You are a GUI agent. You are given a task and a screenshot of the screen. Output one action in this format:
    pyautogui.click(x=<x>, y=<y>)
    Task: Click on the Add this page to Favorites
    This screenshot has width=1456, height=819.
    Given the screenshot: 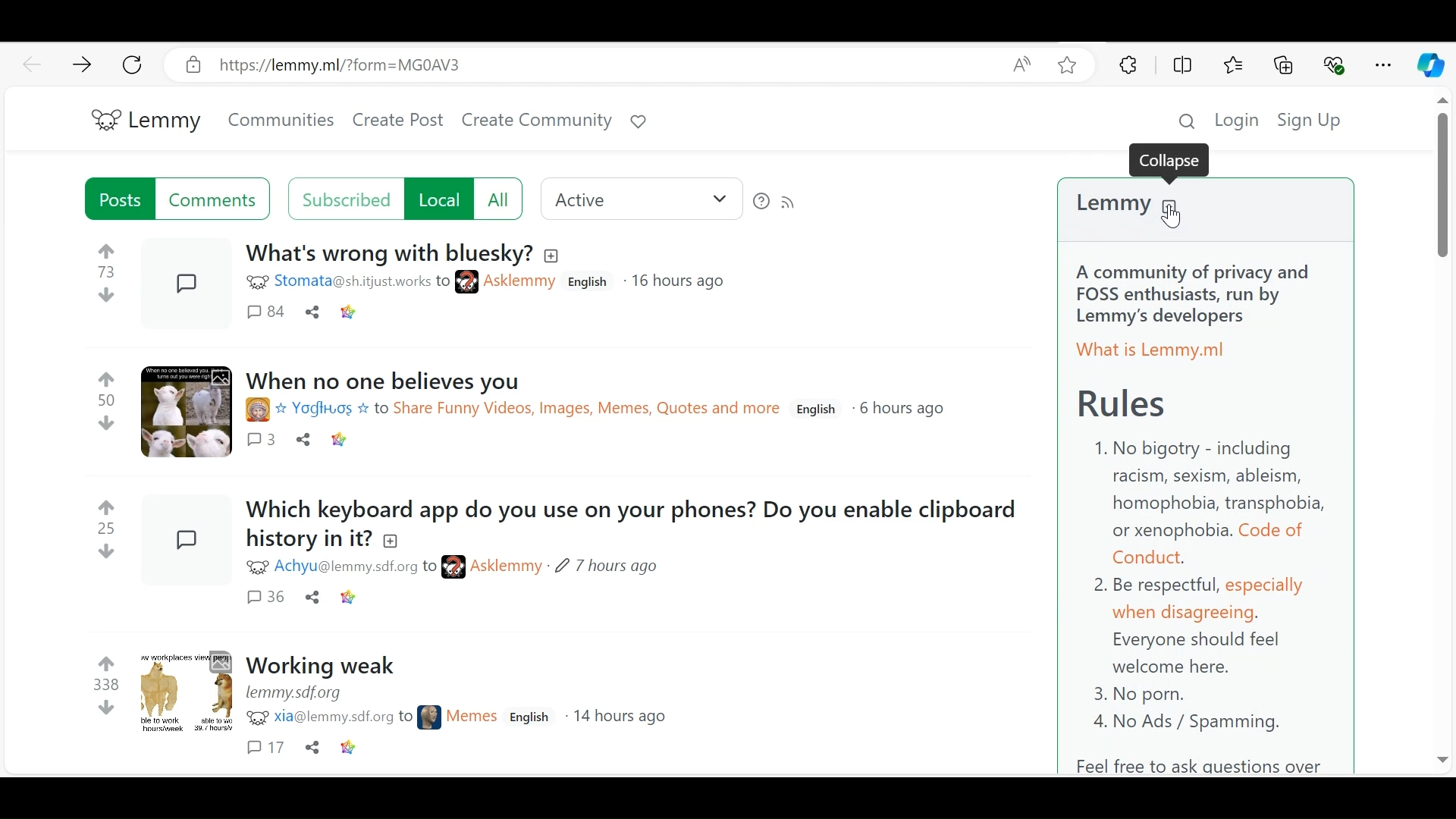 What is the action you would take?
    pyautogui.click(x=1068, y=67)
    